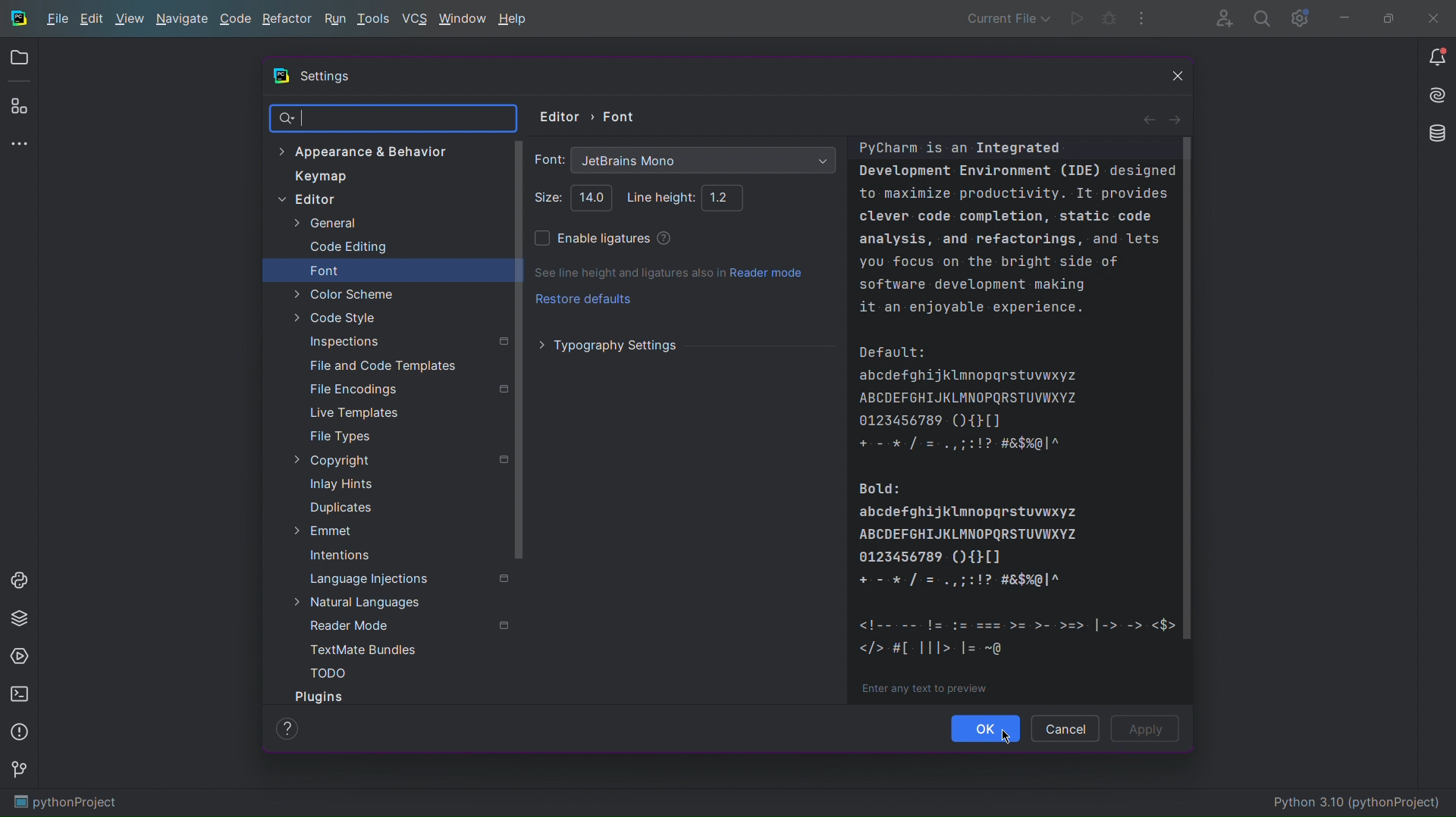  I want to click on Help, so click(513, 20).